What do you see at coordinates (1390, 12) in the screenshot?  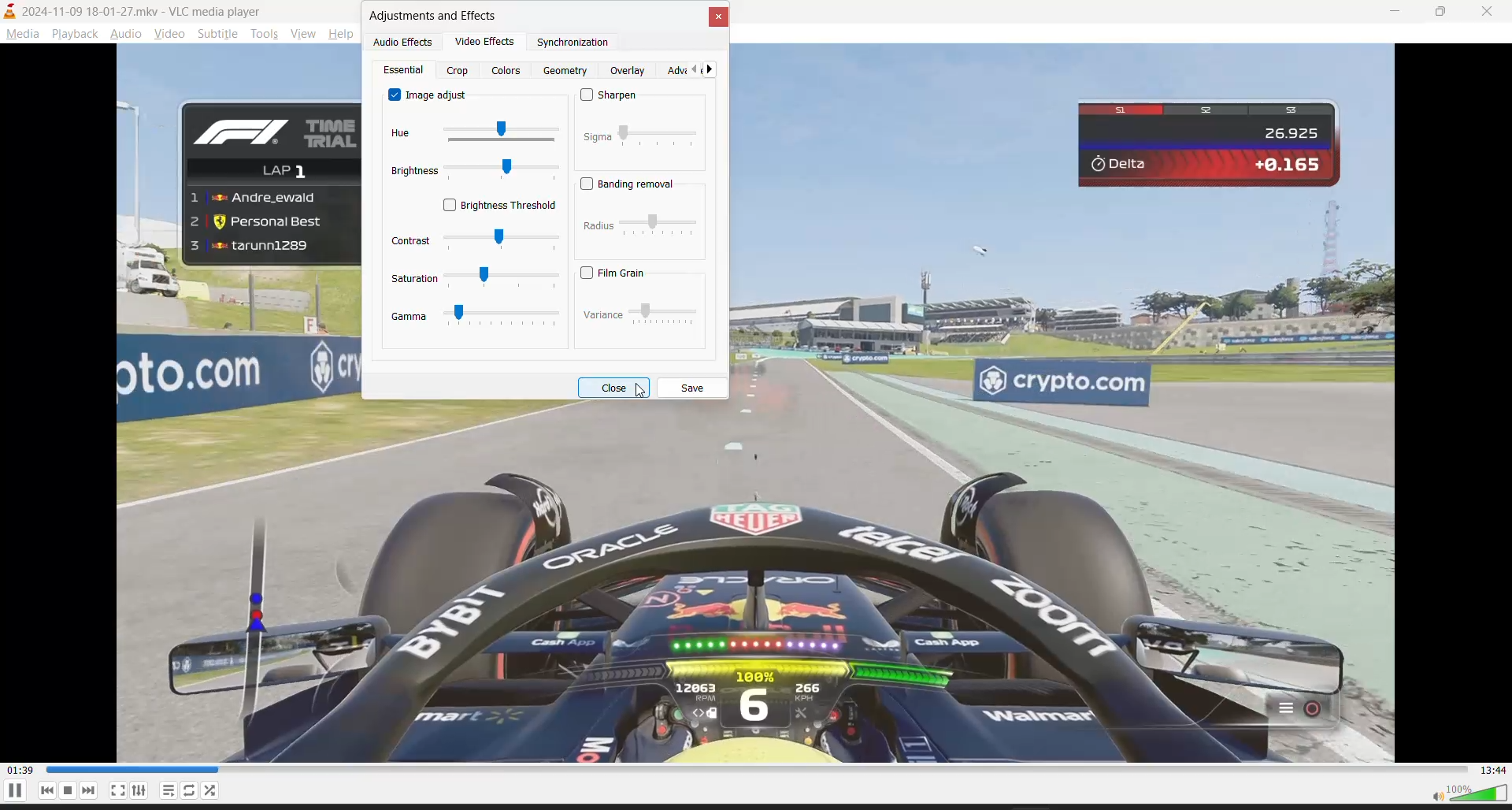 I see `minimize` at bounding box center [1390, 12].